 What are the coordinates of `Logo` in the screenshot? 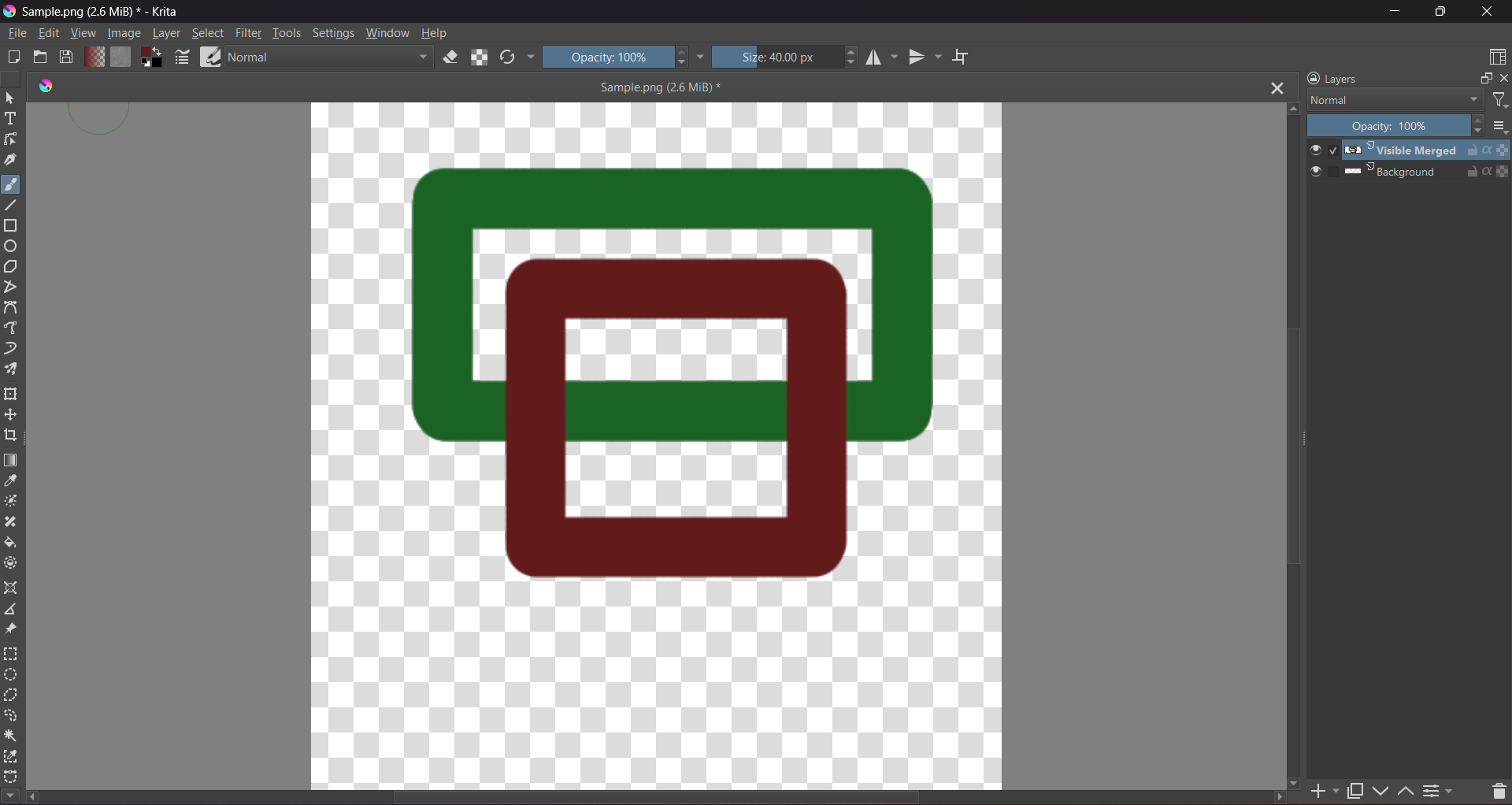 It's located at (43, 86).